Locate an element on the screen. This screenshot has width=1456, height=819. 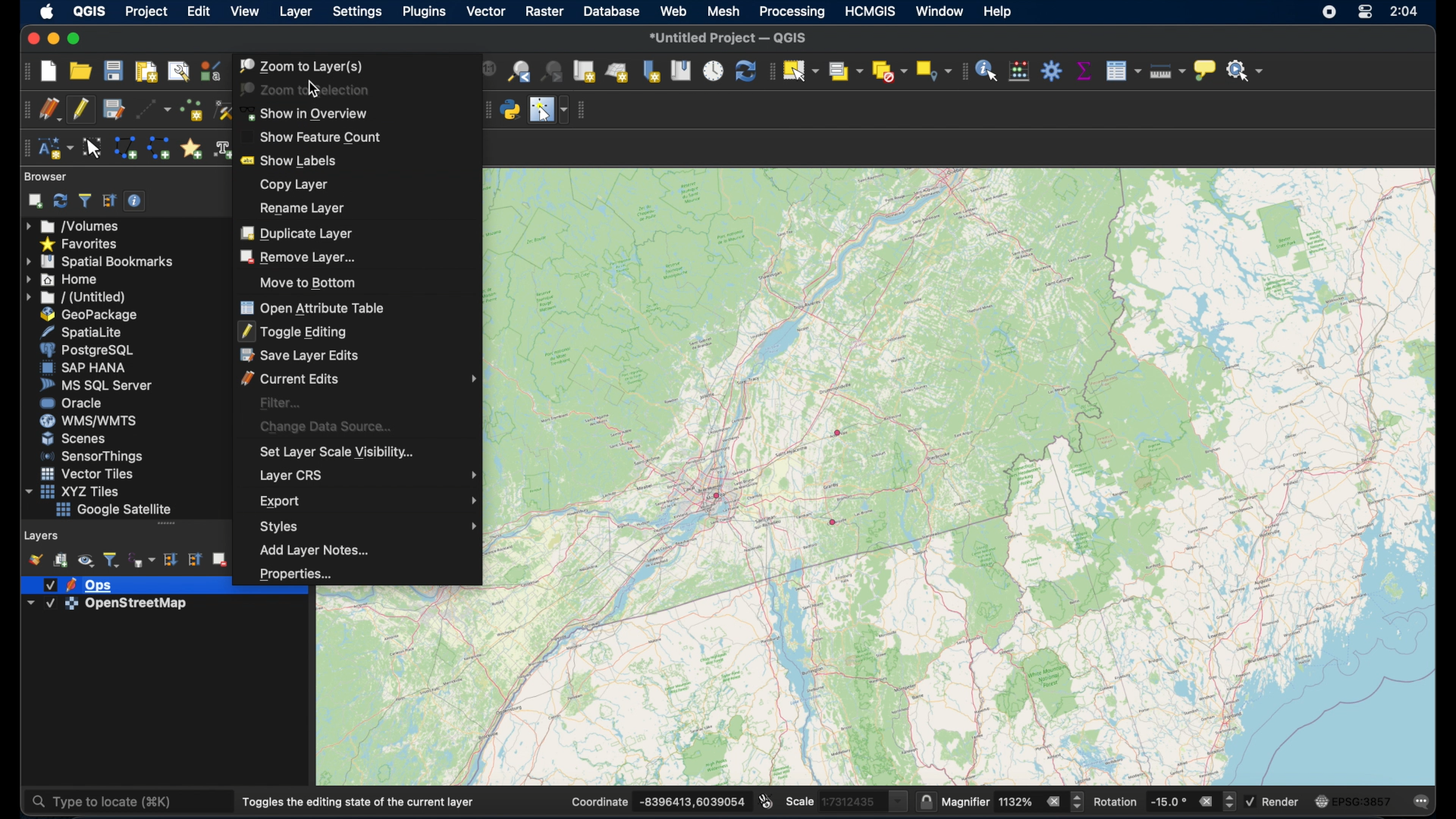
plugins is located at coordinates (424, 12).